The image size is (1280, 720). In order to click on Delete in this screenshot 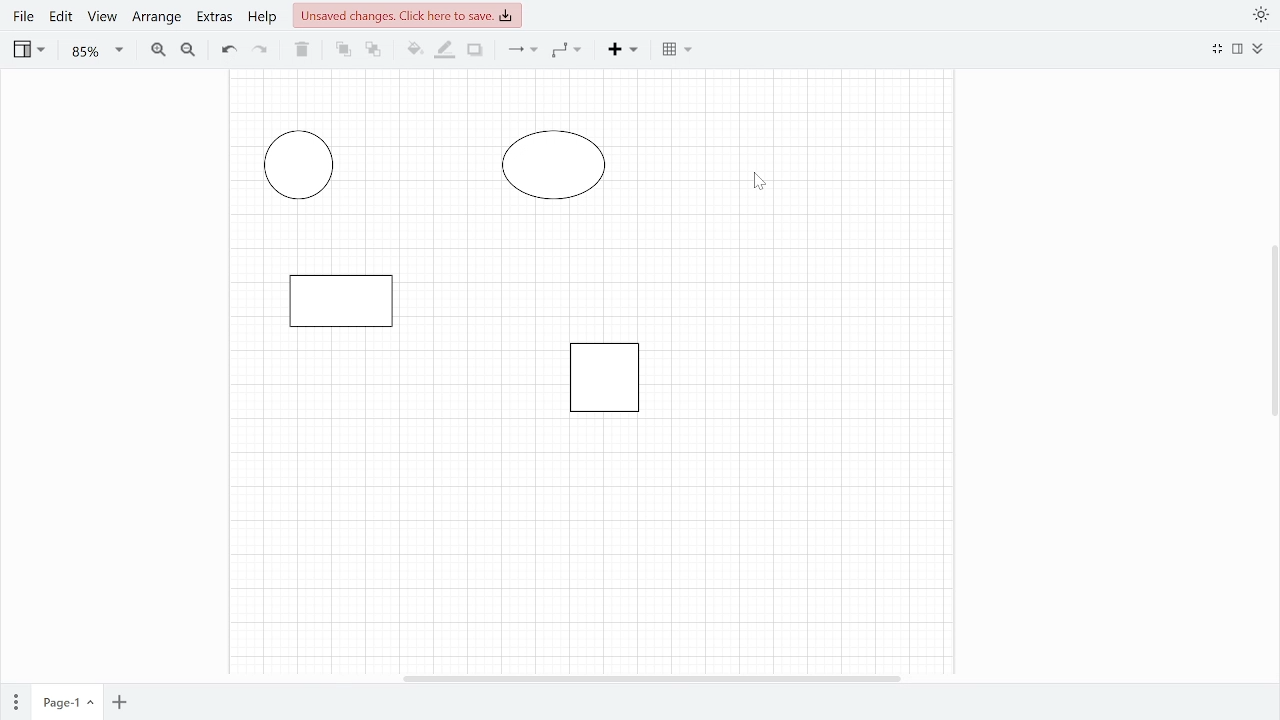, I will do `click(302, 51)`.